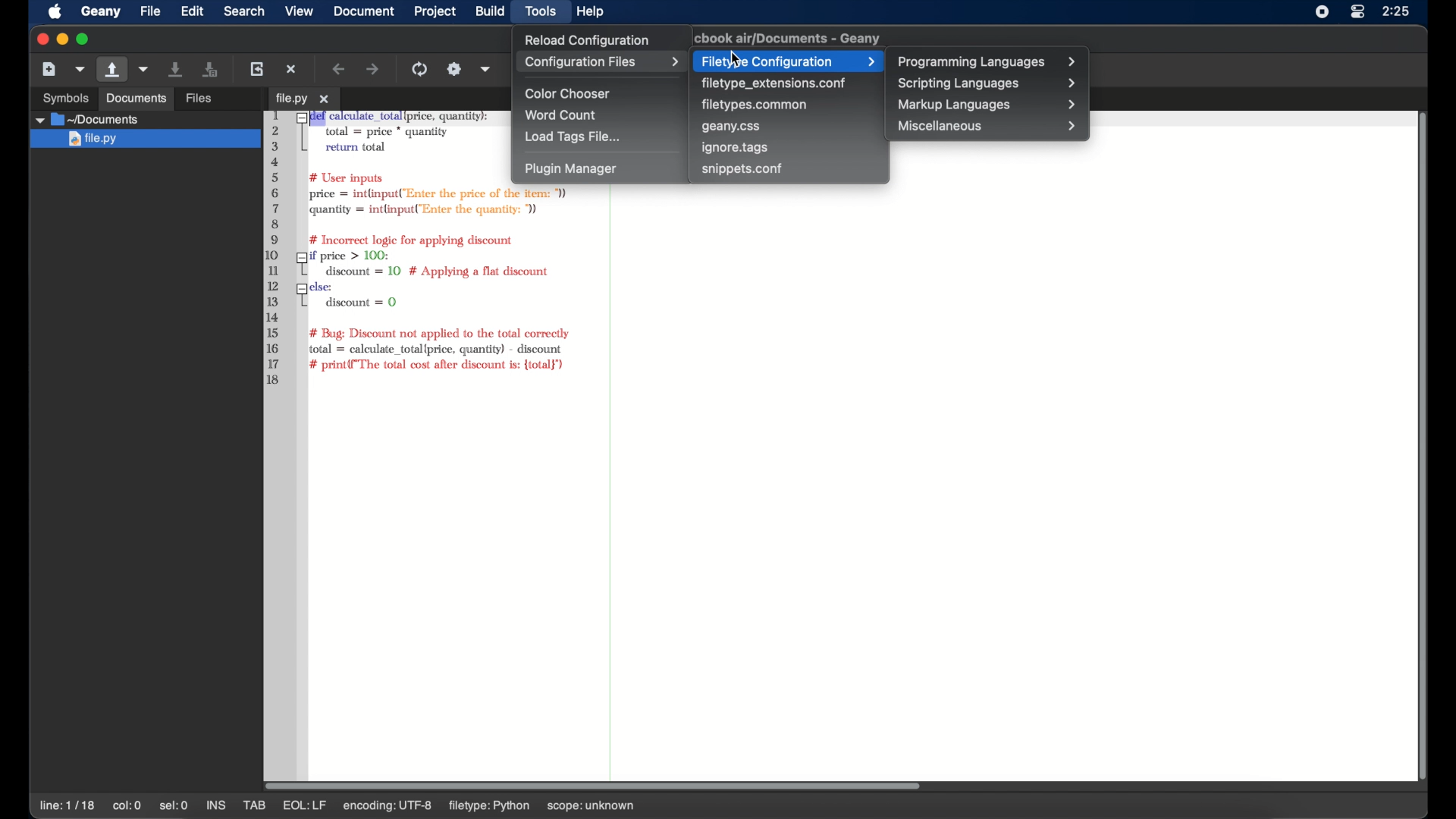  Describe the element at coordinates (601, 62) in the screenshot. I see `configuration files menu` at that location.